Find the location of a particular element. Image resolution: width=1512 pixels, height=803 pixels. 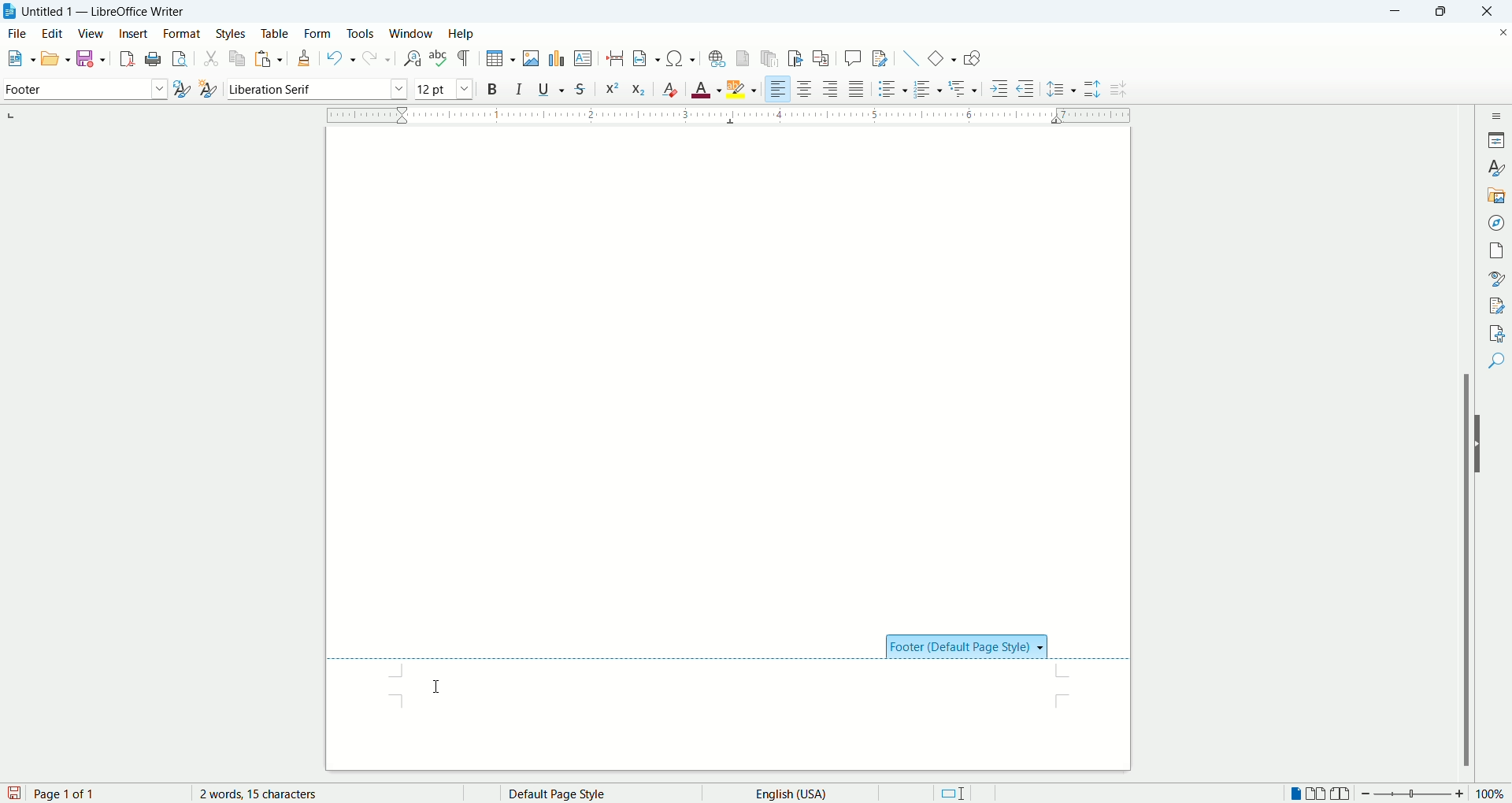

line spacing is located at coordinates (1062, 91).